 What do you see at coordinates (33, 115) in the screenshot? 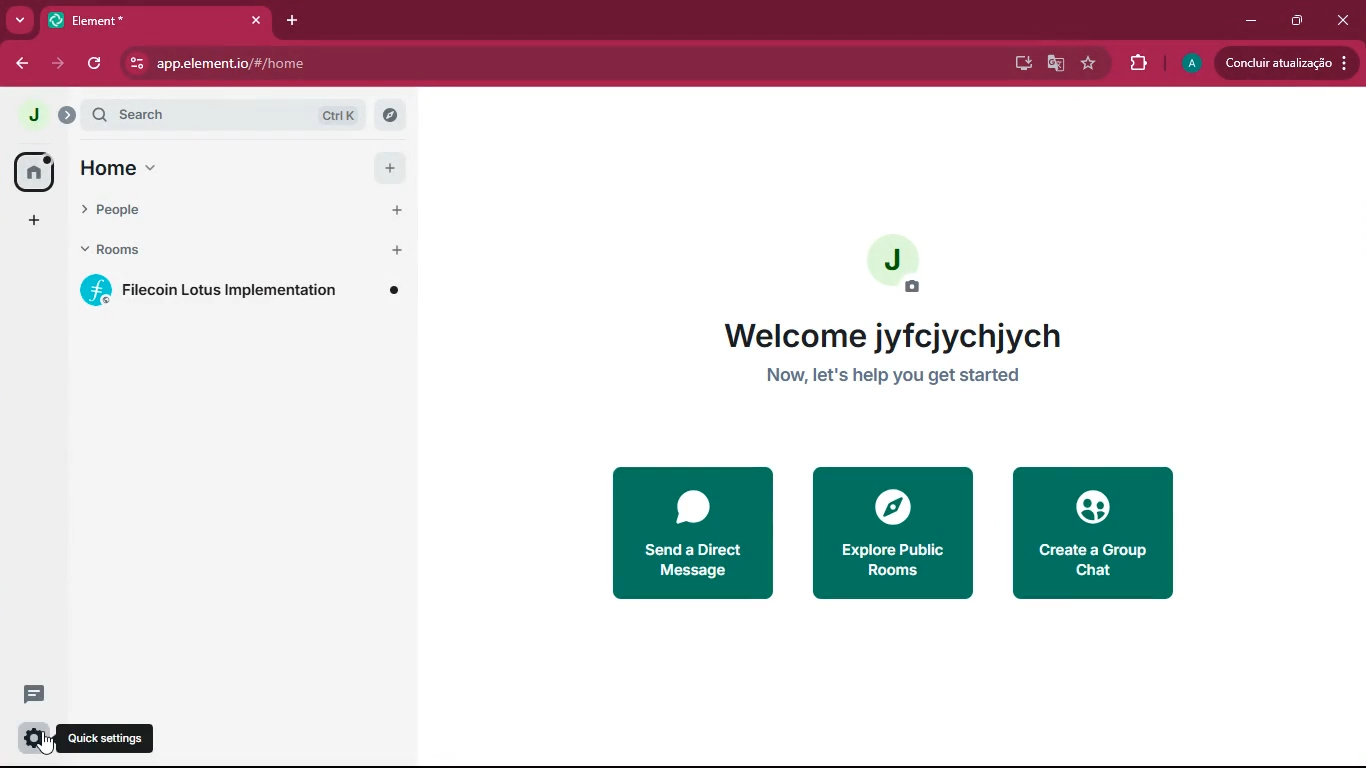
I see `profile picture` at bounding box center [33, 115].